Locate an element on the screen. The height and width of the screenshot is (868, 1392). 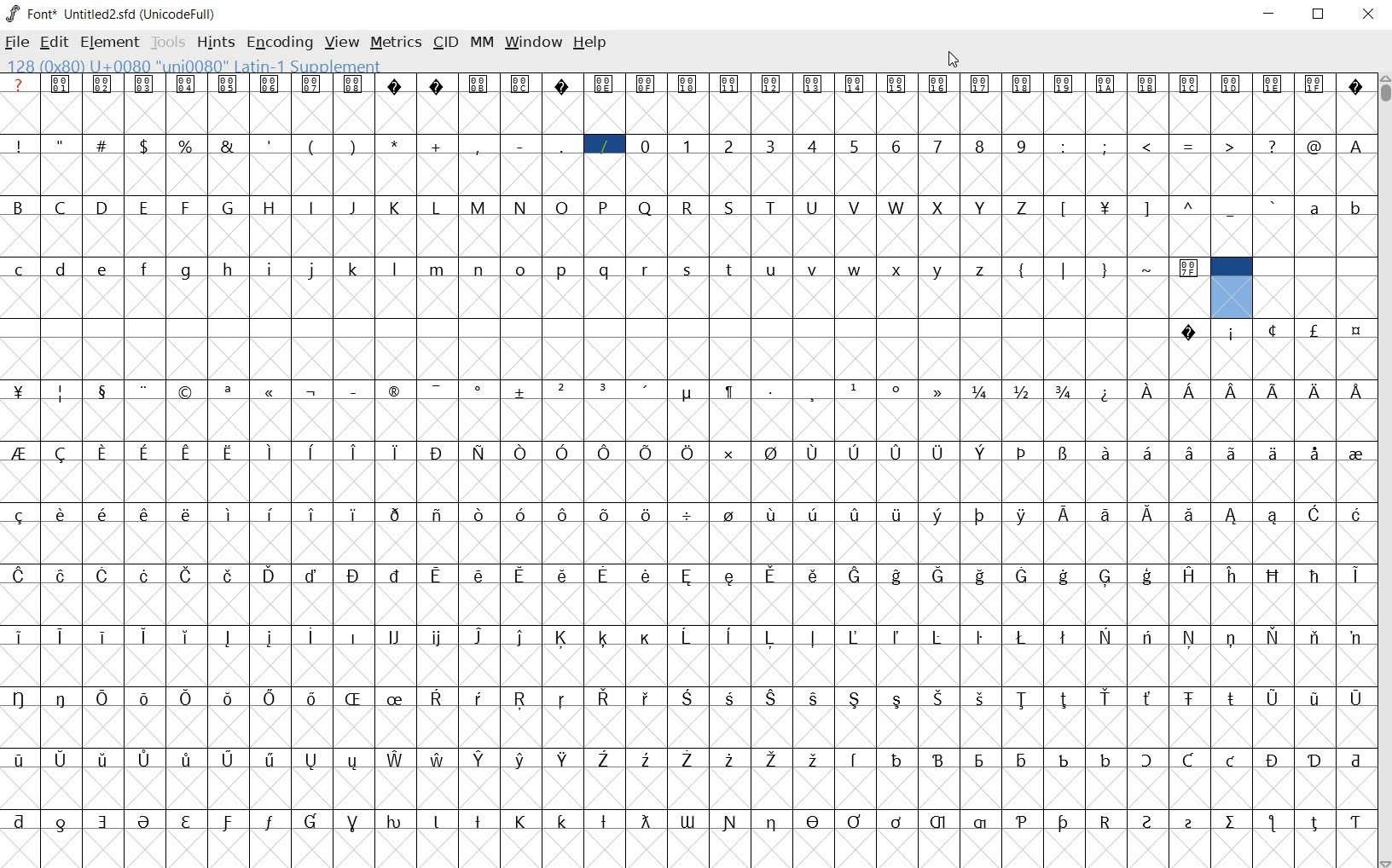
Symbol is located at coordinates (647, 697).